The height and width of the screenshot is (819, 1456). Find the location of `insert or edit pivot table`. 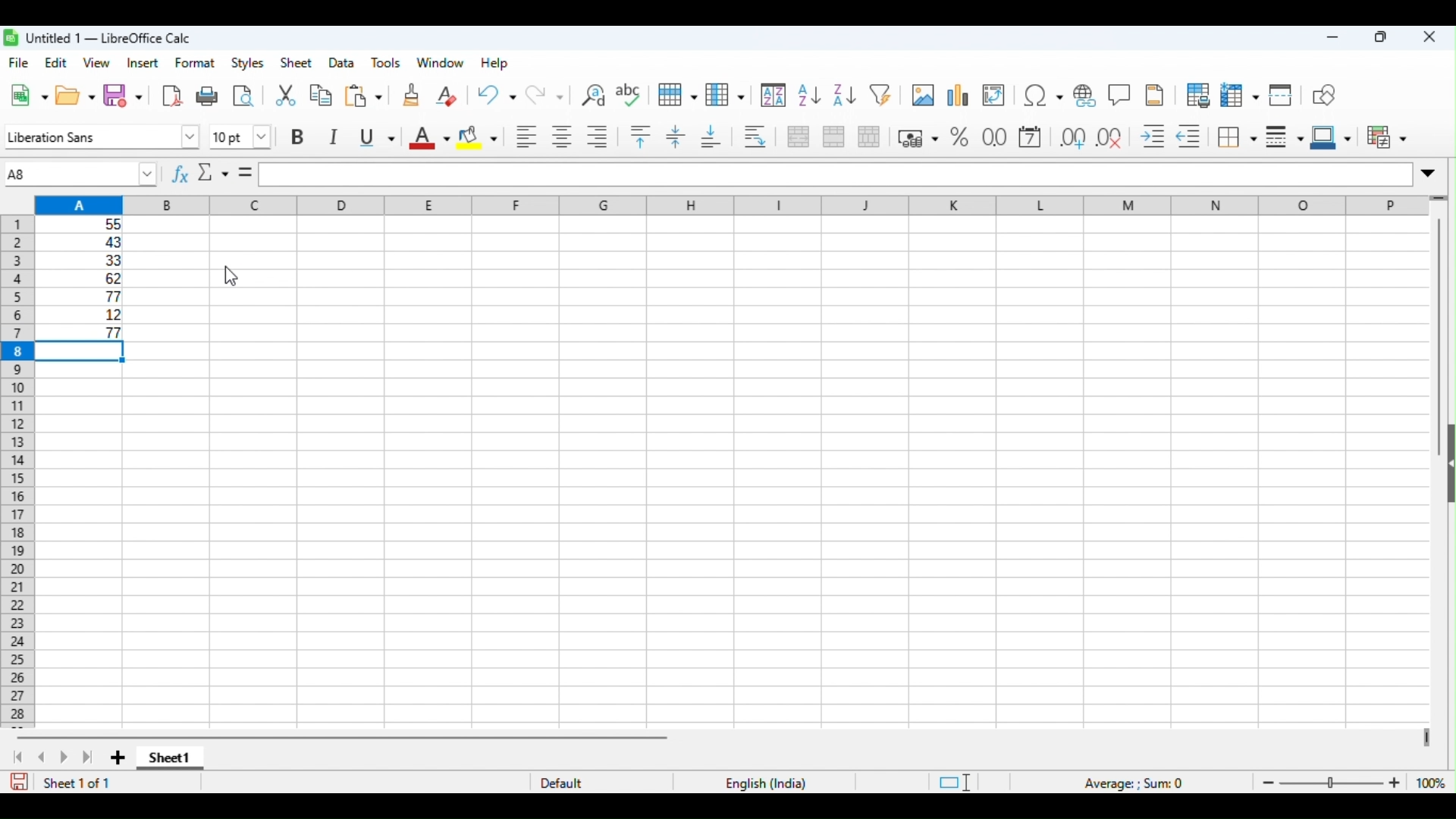

insert or edit pivot table is located at coordinates (996, 93).